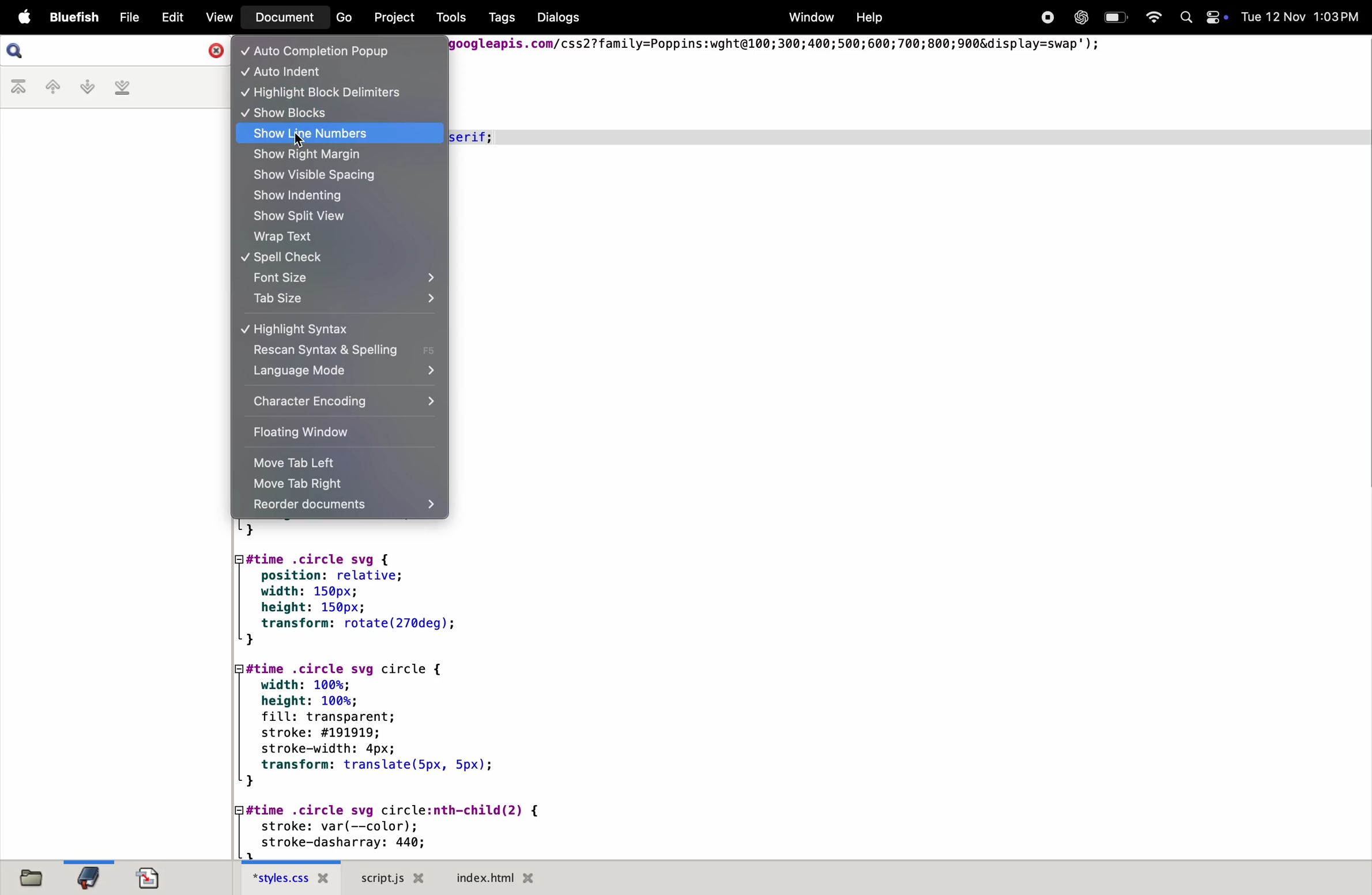 The height and width of the screenshot is (895, 1372). I want to click on last bookmark, so click(125, 88).